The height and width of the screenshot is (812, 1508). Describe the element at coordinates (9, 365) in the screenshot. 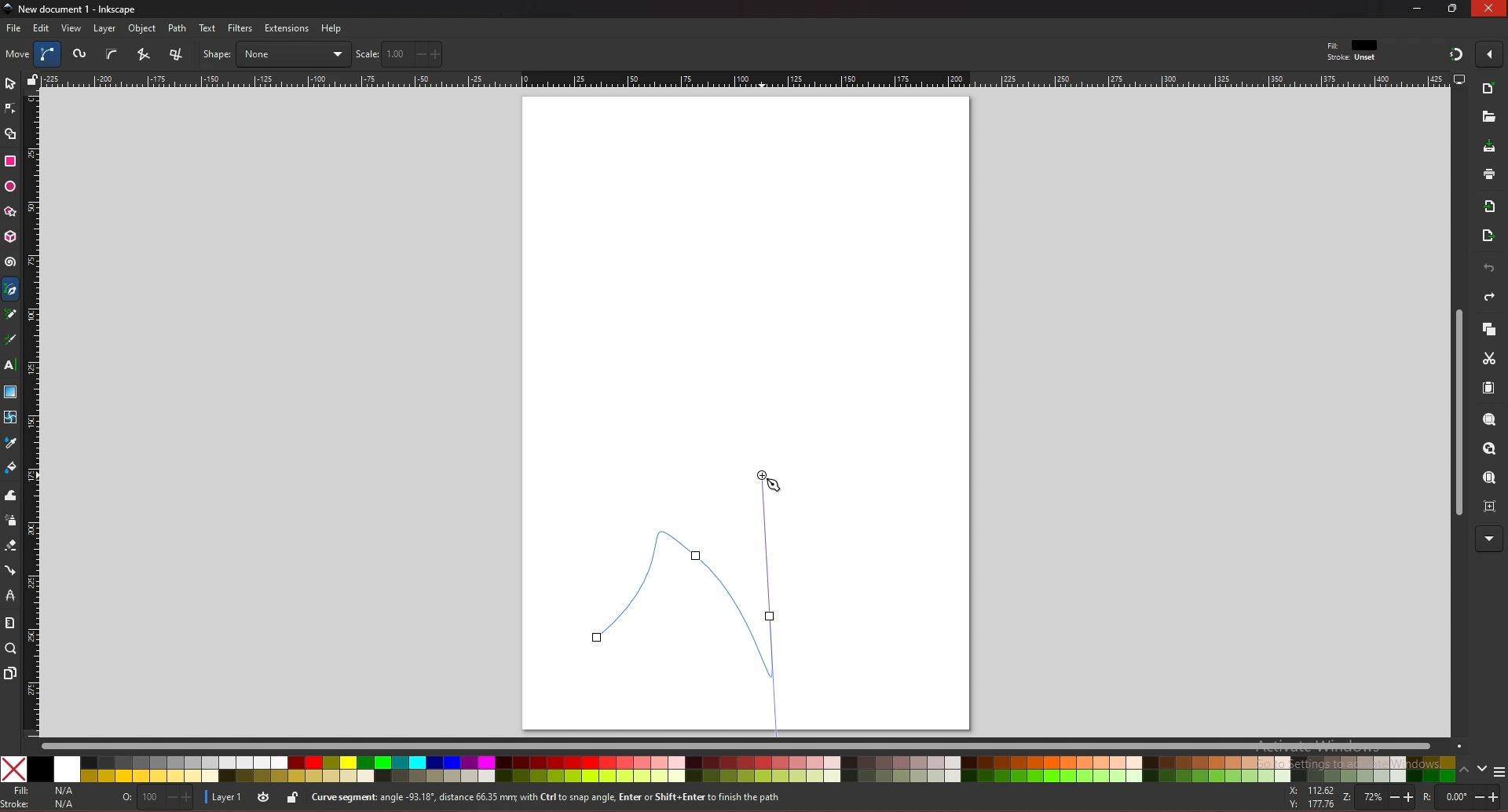

I see `text` at that location.